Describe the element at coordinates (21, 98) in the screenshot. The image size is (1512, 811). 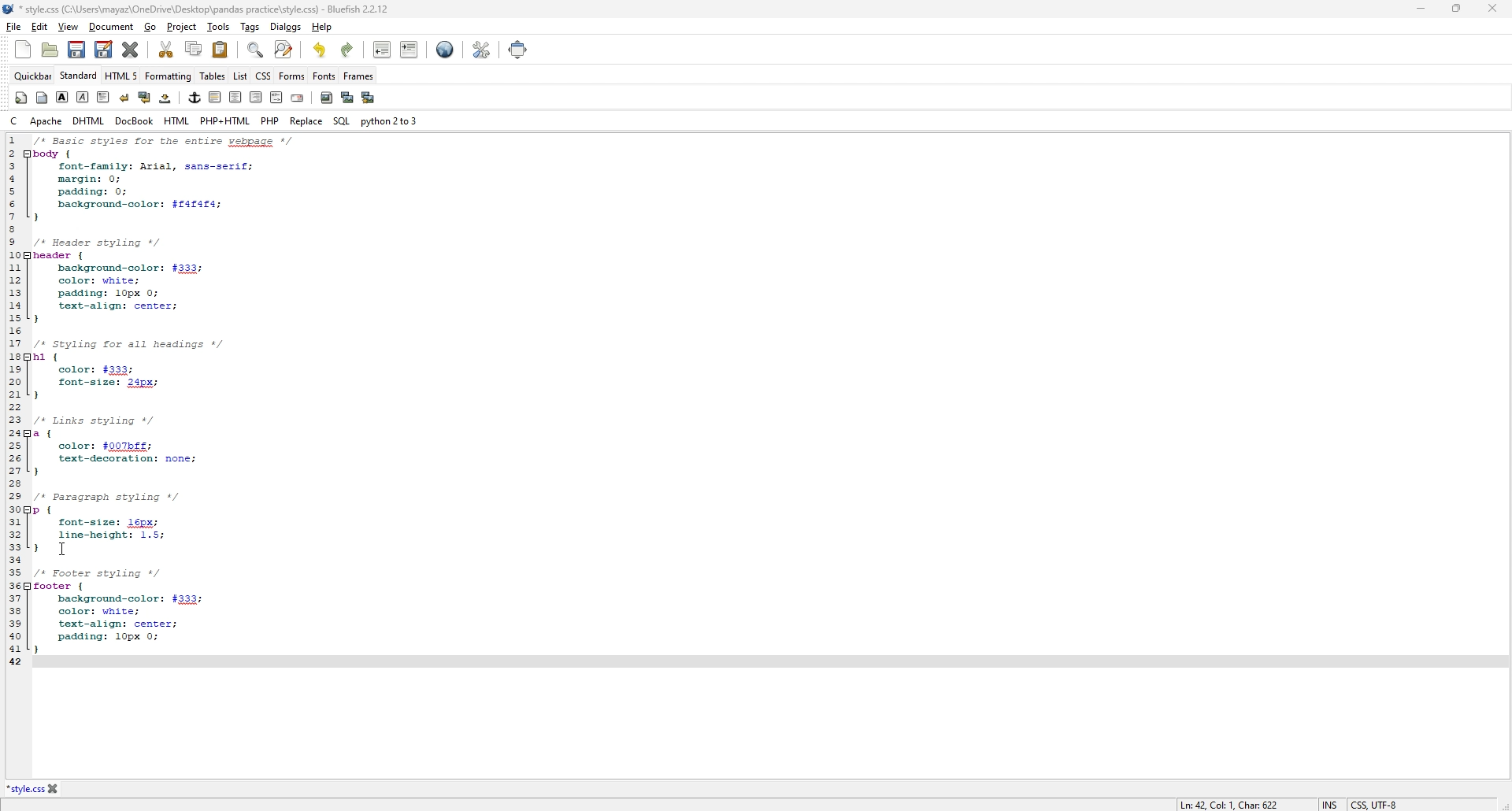
I see `quickstart` at that location.